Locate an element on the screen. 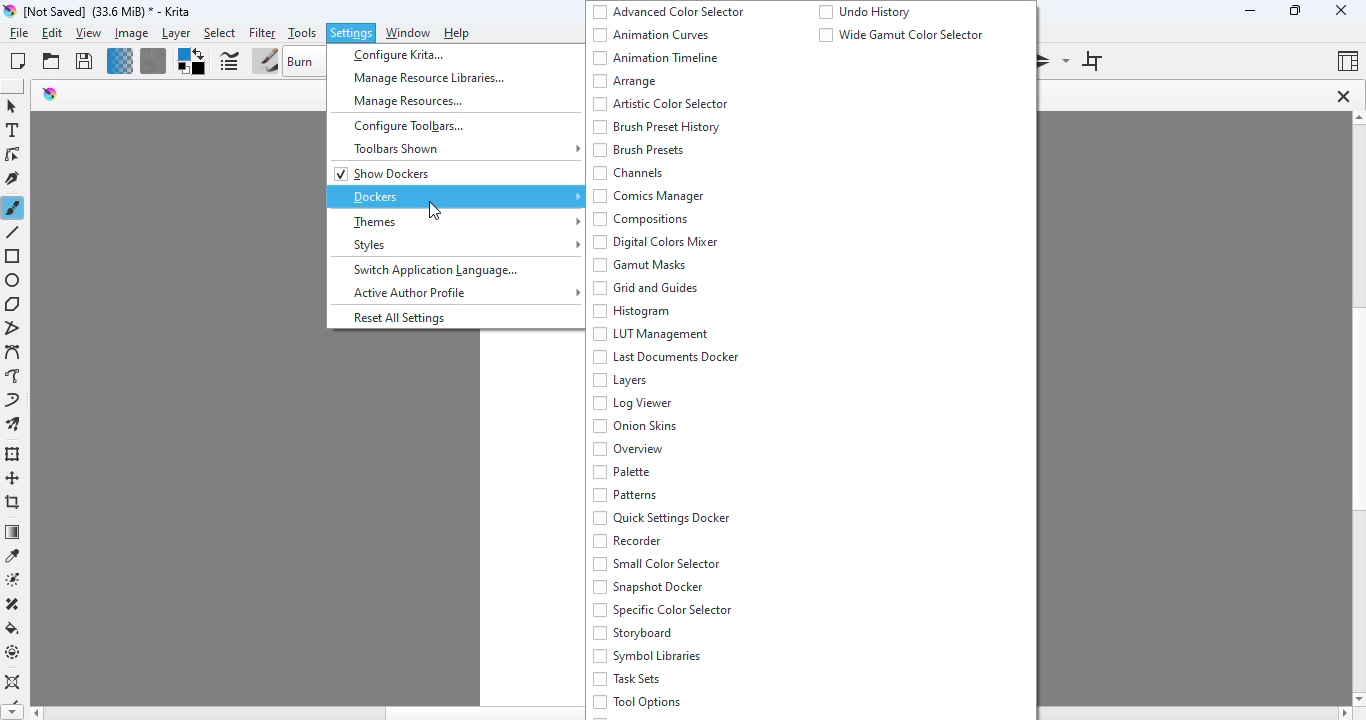 The image size is (1366, 720). themes is located at coordinates (463, 223).